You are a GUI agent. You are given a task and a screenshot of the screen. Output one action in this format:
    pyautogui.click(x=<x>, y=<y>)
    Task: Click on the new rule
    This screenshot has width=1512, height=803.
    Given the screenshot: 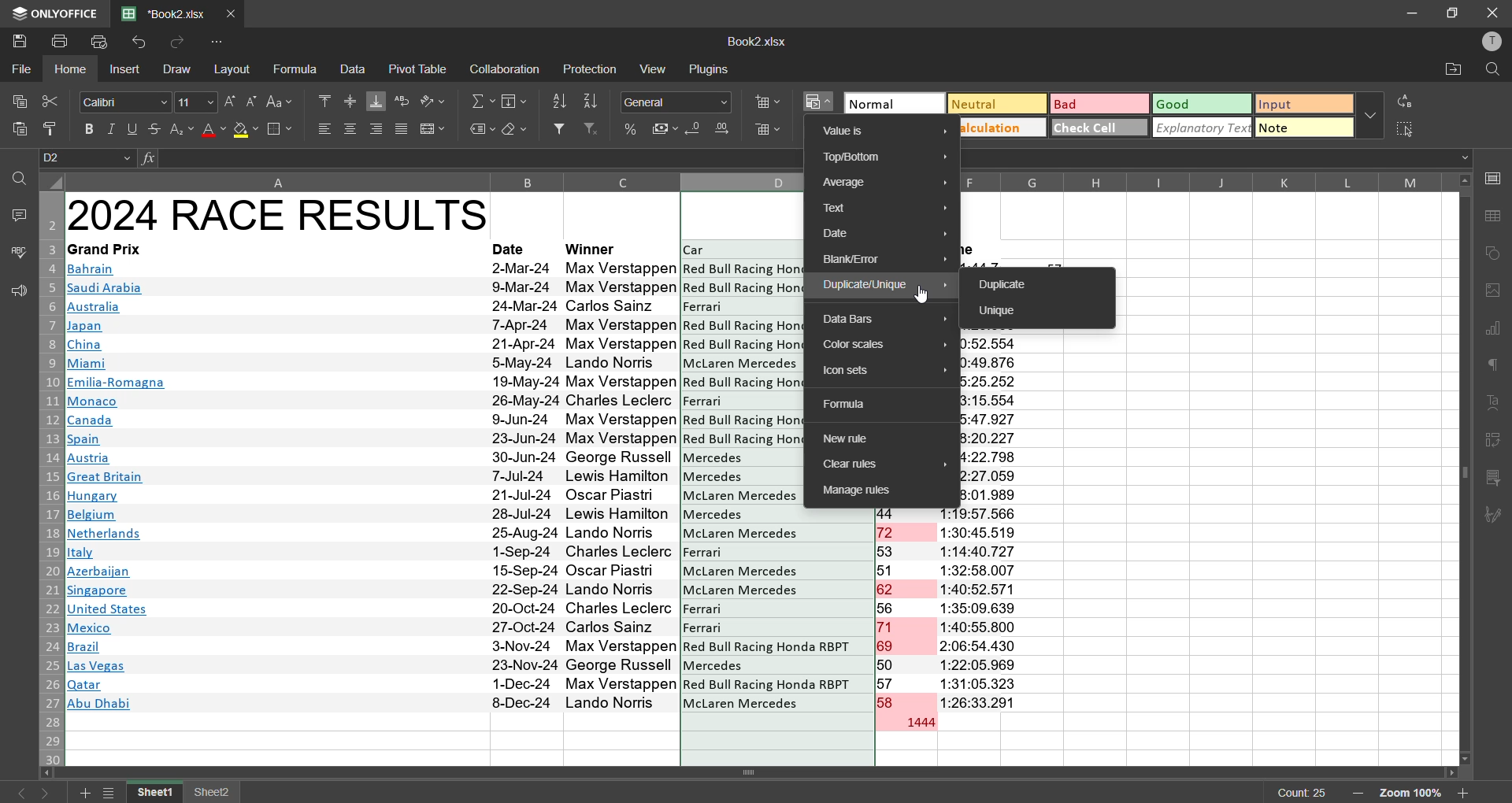 What is the action you would take?
    pyautogui.click(x=849, y=439)
    